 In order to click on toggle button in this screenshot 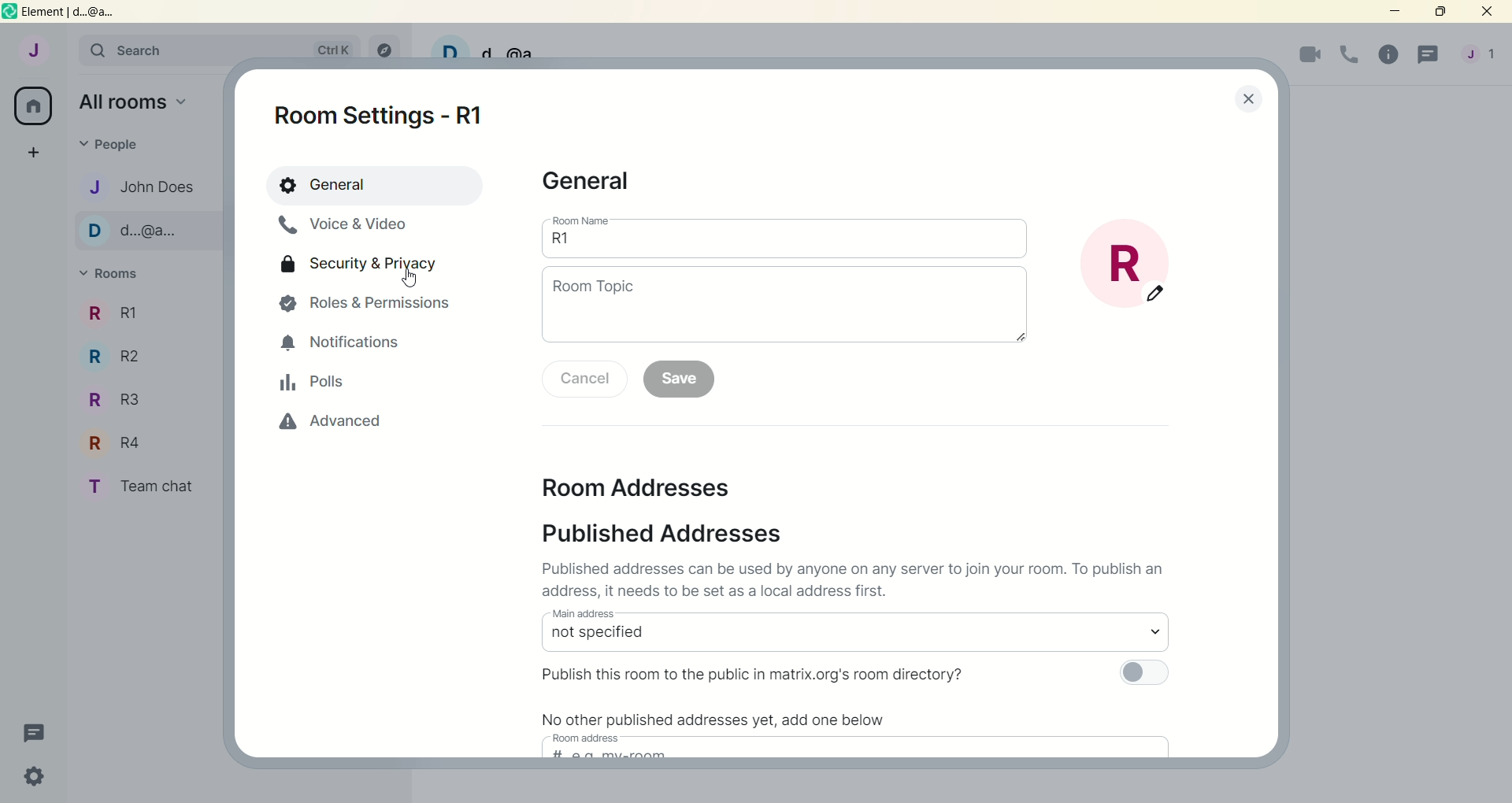, I will do `click(1143, 677)`.